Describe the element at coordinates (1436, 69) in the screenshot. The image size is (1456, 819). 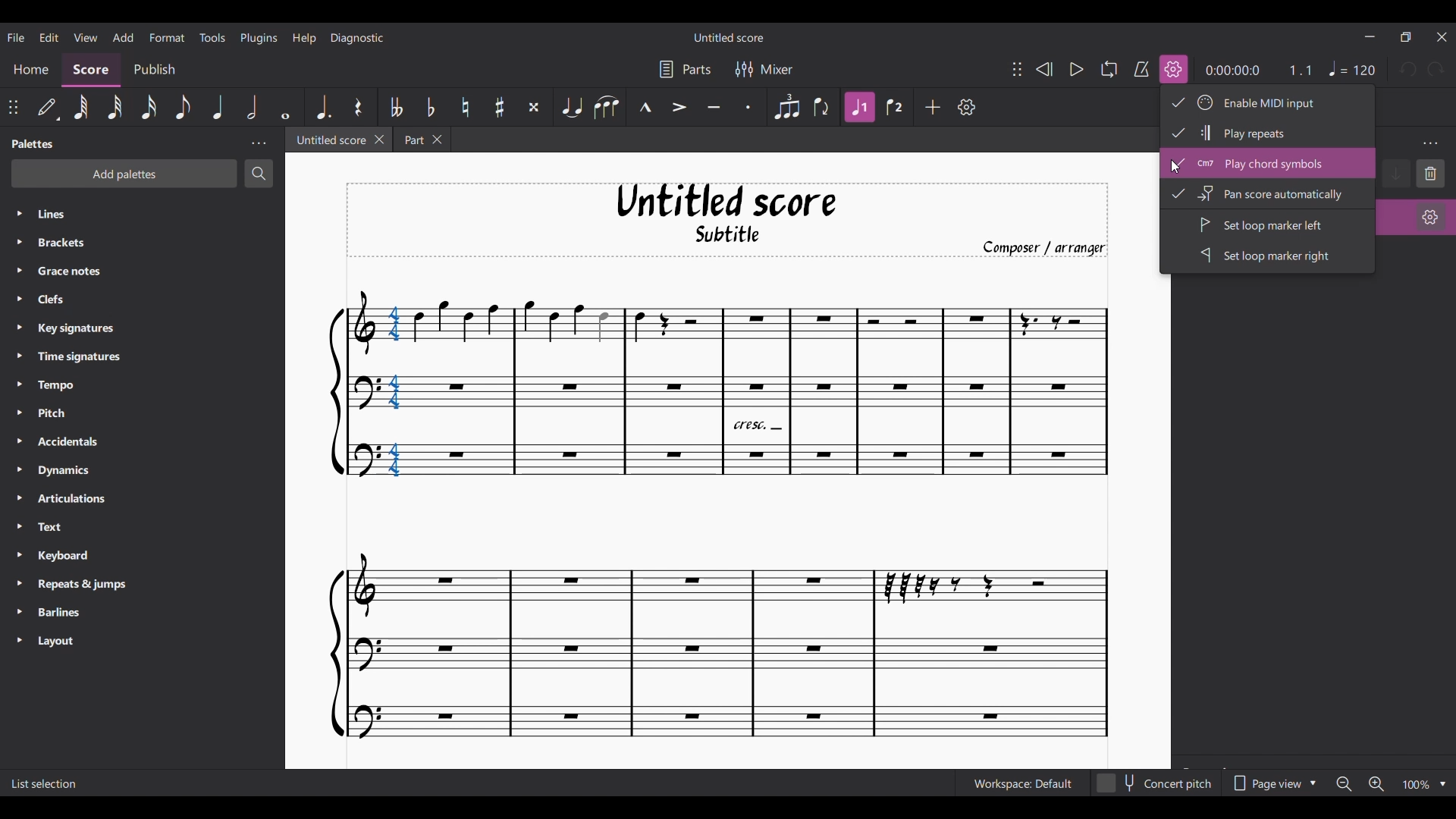
I see `Redo` at that location.